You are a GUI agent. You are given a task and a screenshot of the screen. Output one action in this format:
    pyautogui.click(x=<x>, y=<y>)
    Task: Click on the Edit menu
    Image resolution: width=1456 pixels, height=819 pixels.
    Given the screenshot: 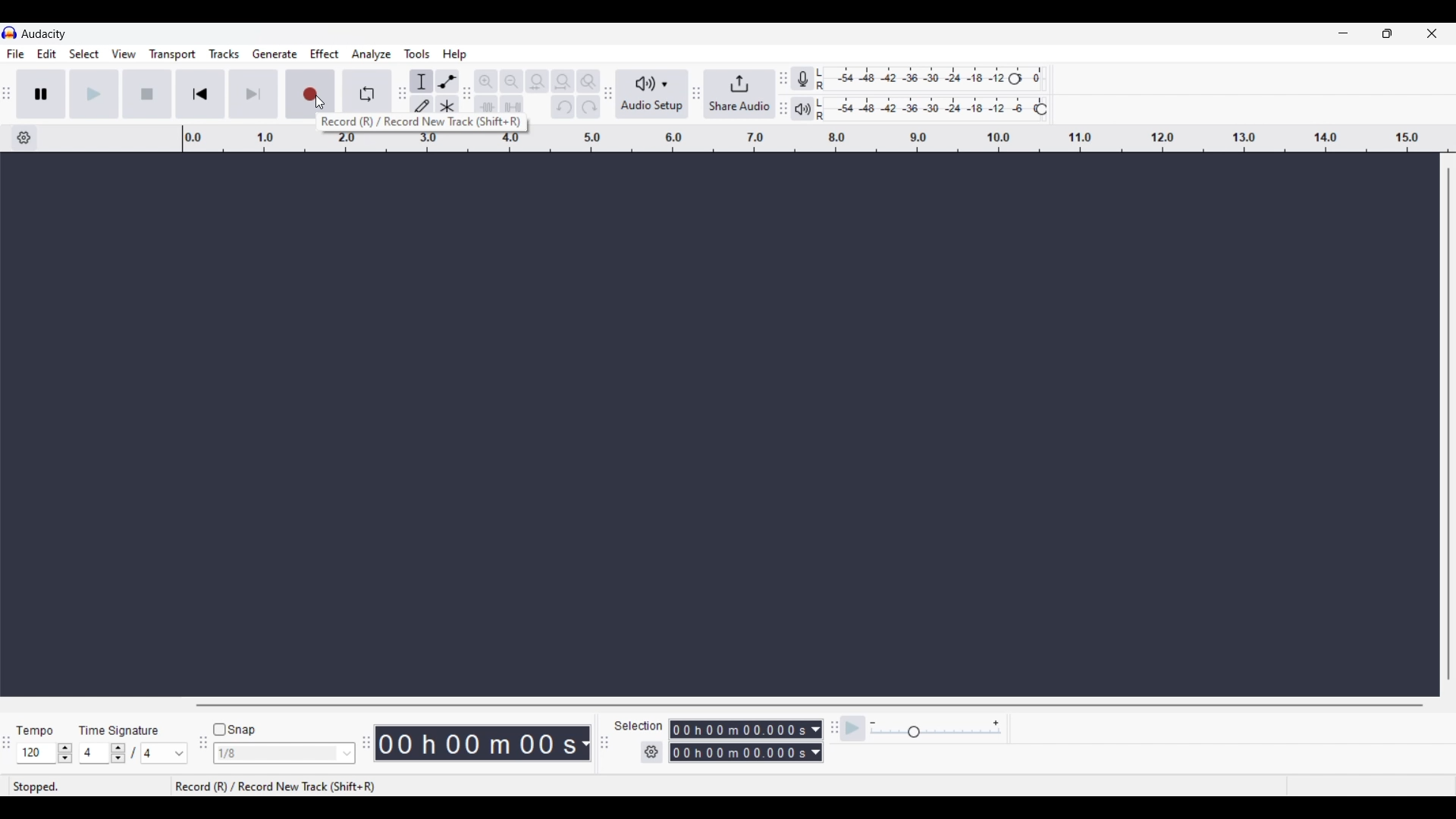 What is the action you would take?
    pyautogui.click(x=47, y=54)
    